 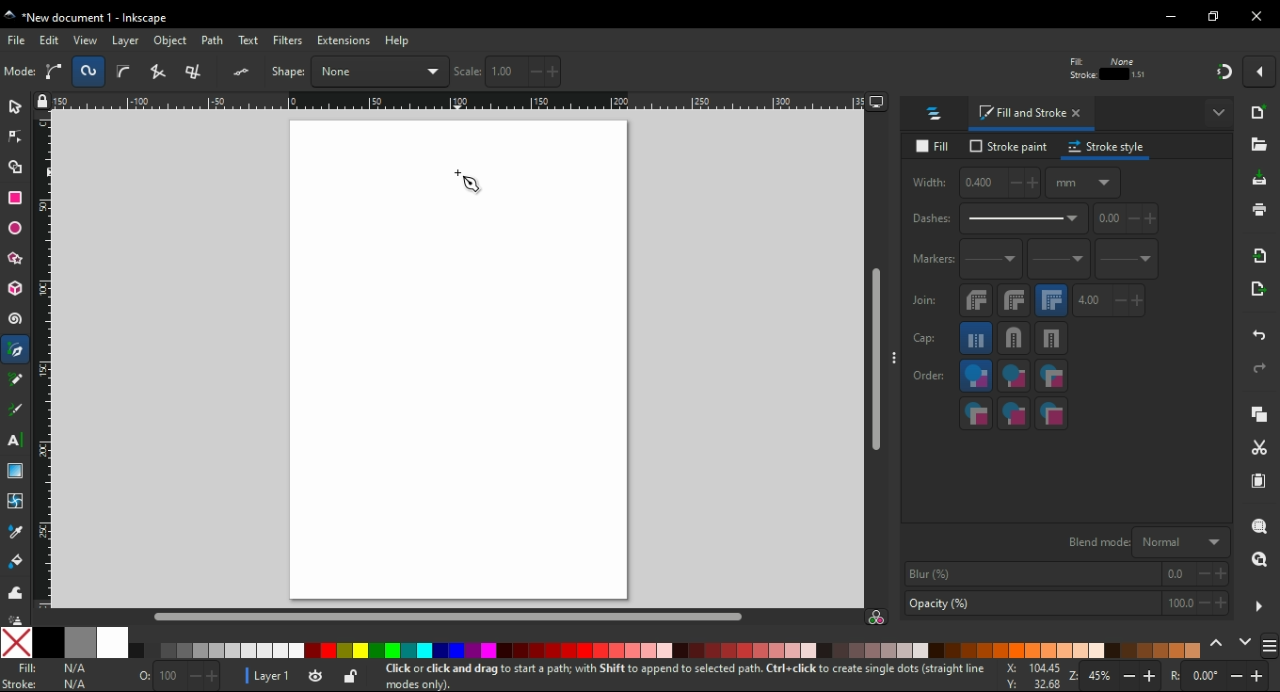 I want to click on "New document 1 - Inkscape, so click(x=88, y=19).